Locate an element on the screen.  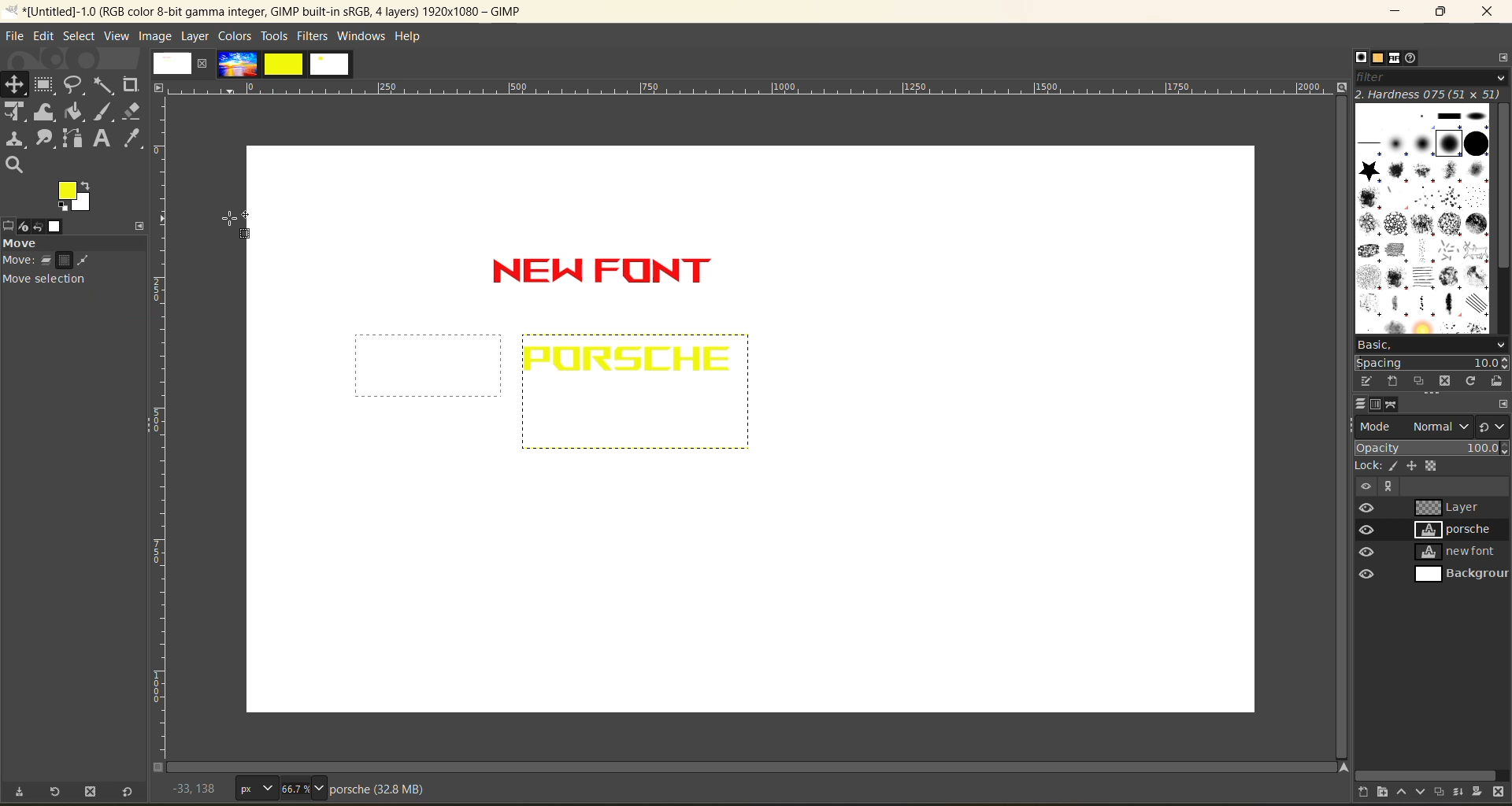
clone tool is located at coordinates (16, 140).